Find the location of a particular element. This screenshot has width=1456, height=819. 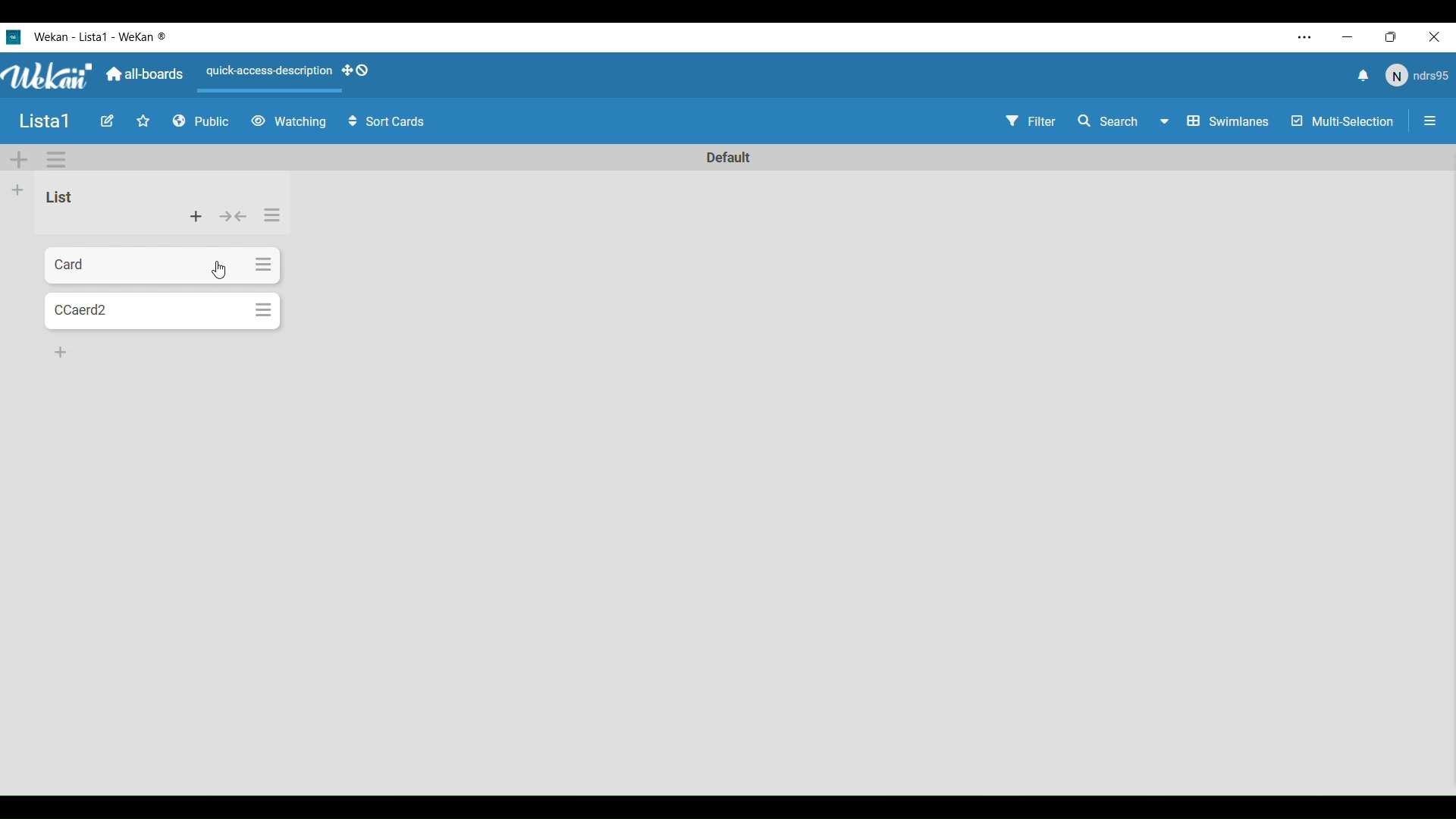

Settings is located at coordinates (274, 215).